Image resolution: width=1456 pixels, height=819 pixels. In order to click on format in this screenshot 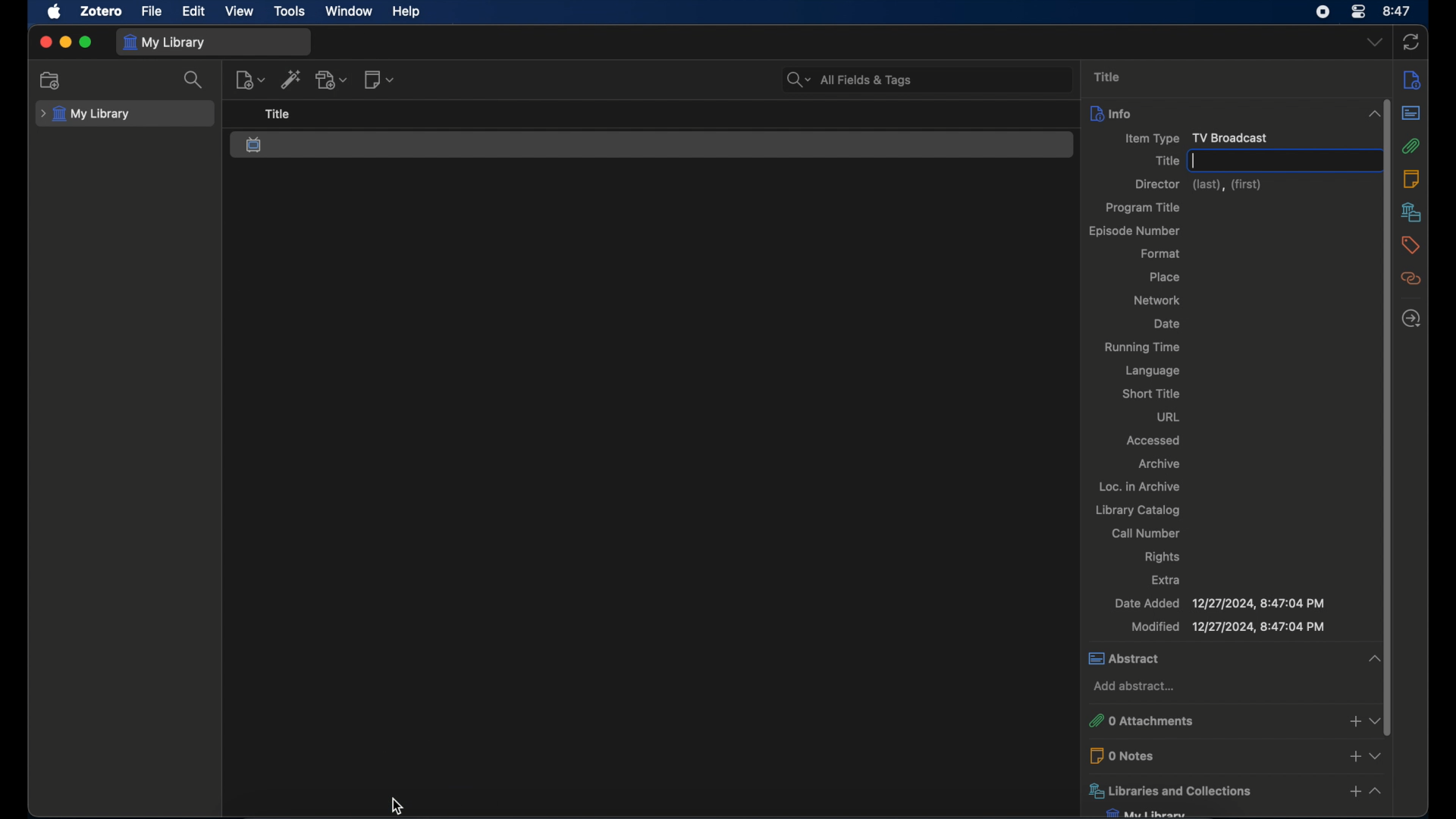, I will do `click(1161, 253)`.